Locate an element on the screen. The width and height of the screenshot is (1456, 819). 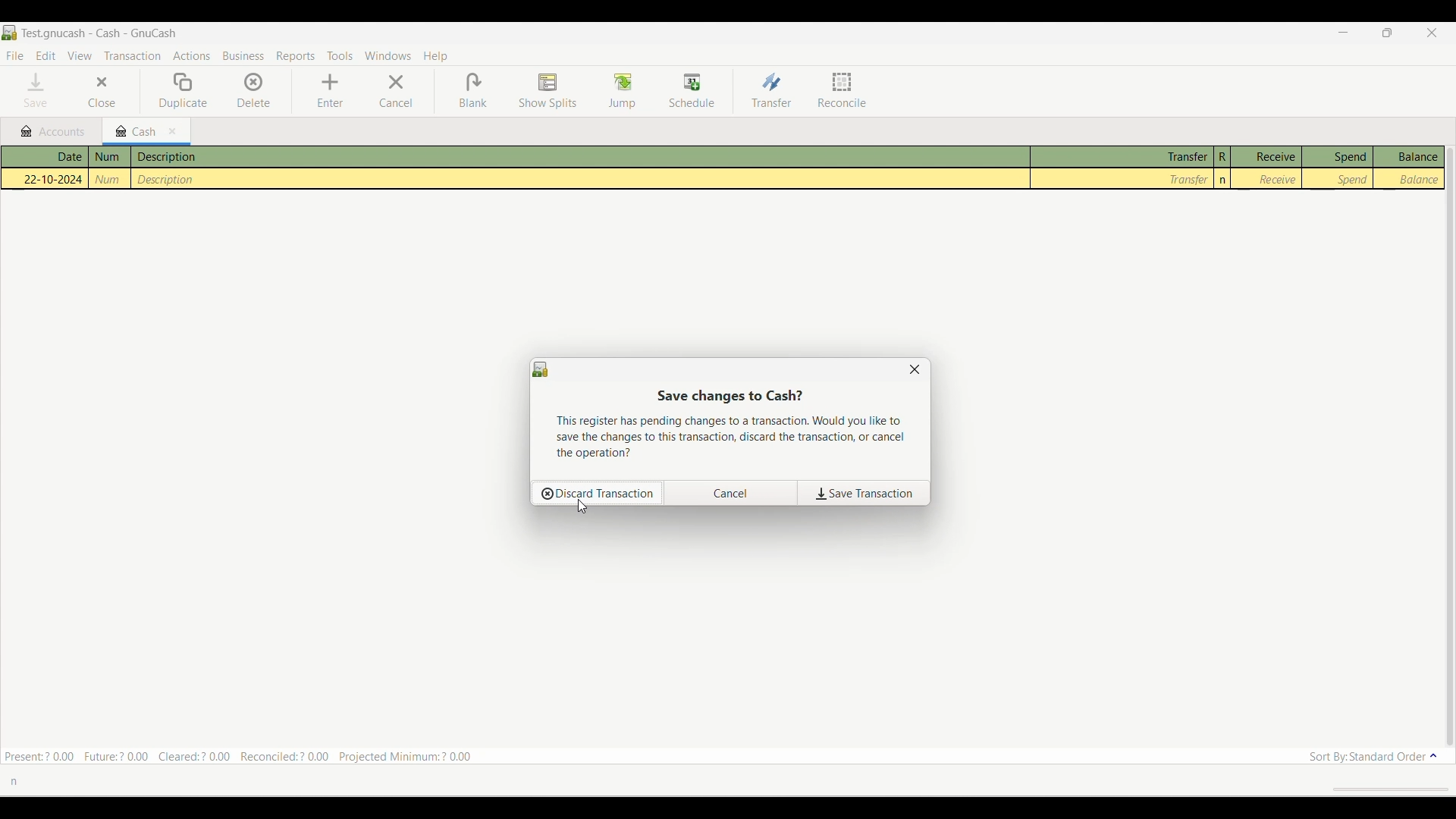
Transfer is located at coordinates (772, 90).